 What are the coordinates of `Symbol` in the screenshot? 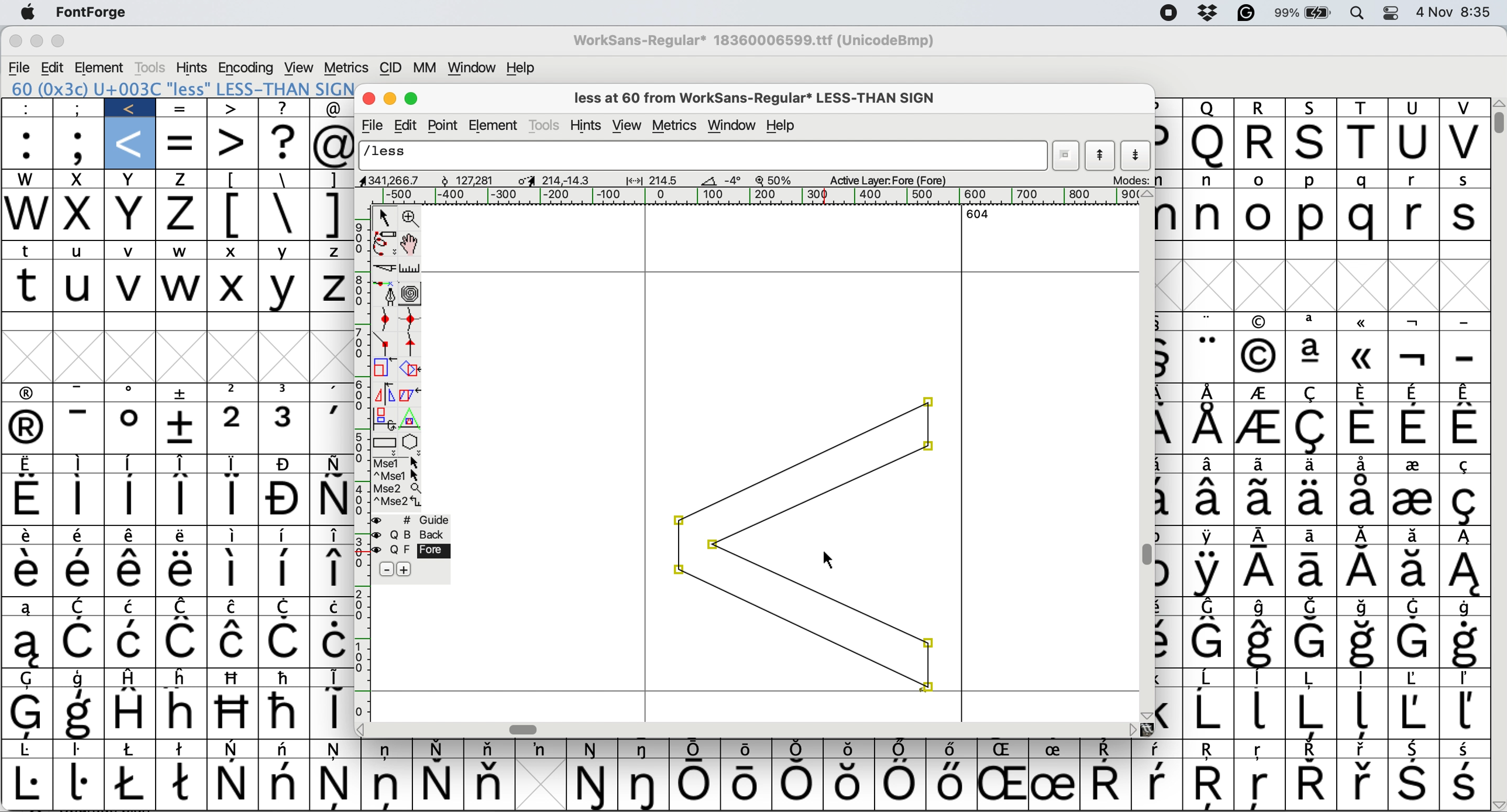 It's located at (952, 748).